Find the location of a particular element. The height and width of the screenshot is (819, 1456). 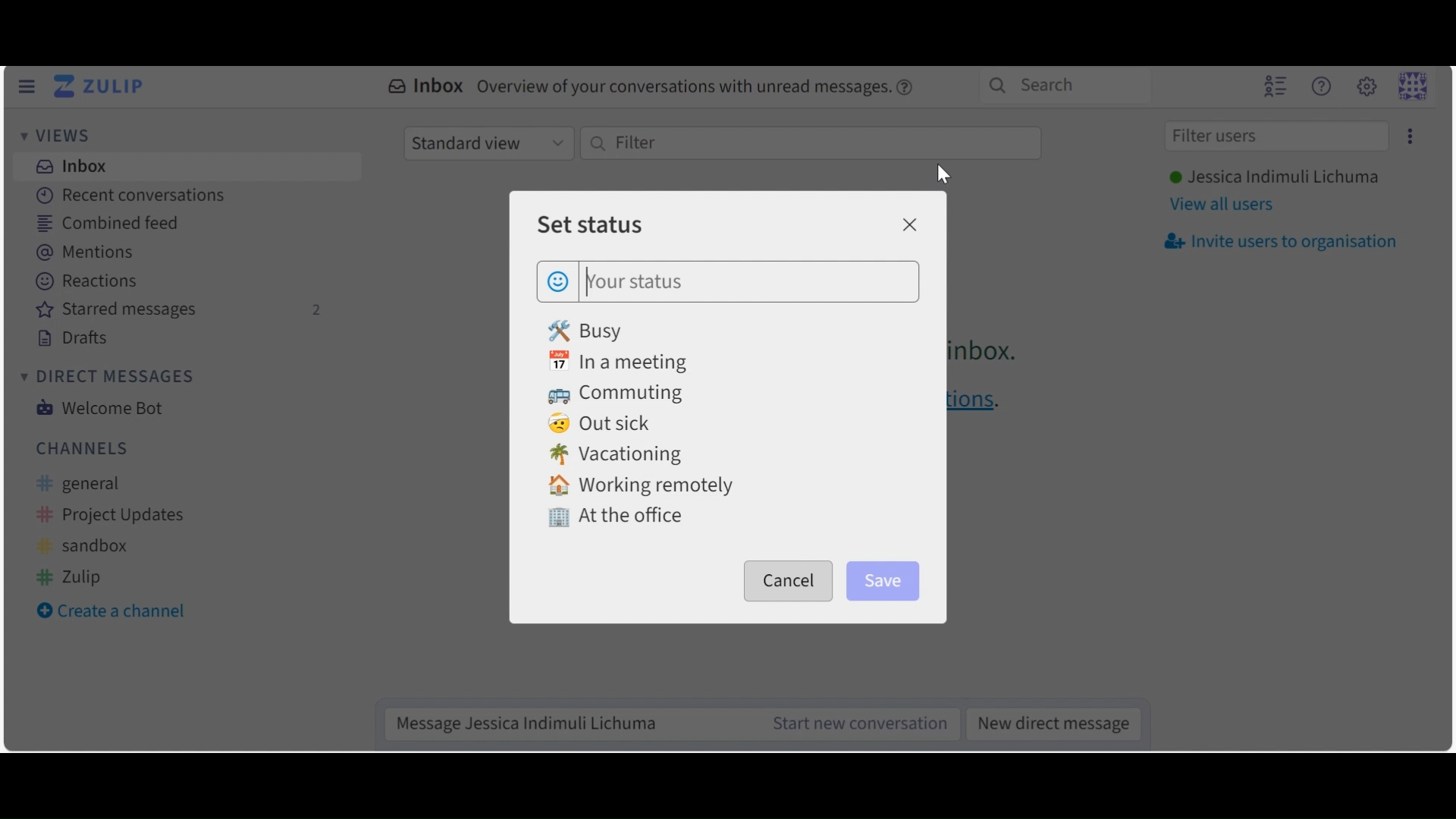

Channels is located at coordinates (83, 447).